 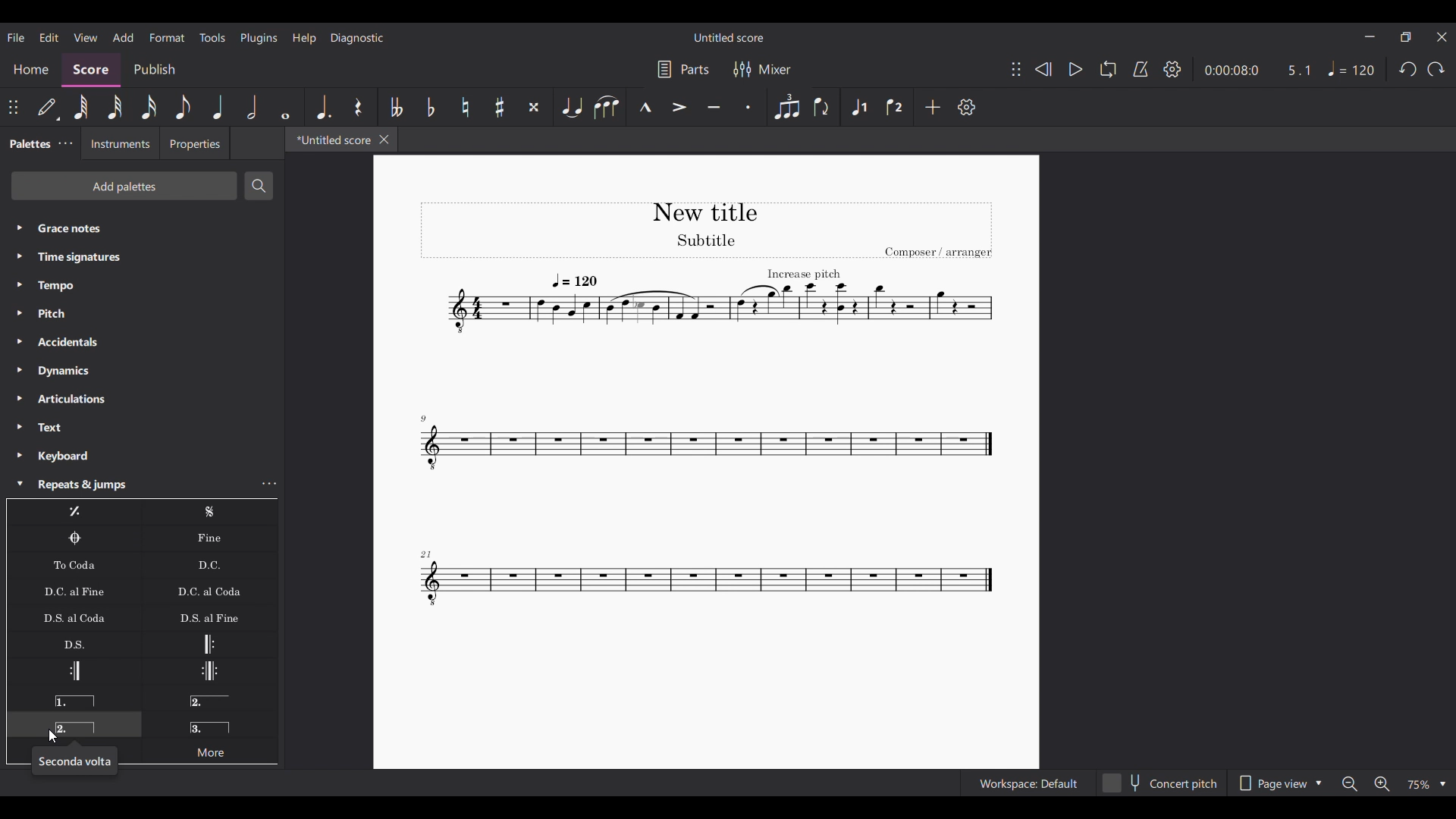 What do you see at coordinates (680, 108) in the screenshot?
I see `Accent` at bounding box center [680, 108].